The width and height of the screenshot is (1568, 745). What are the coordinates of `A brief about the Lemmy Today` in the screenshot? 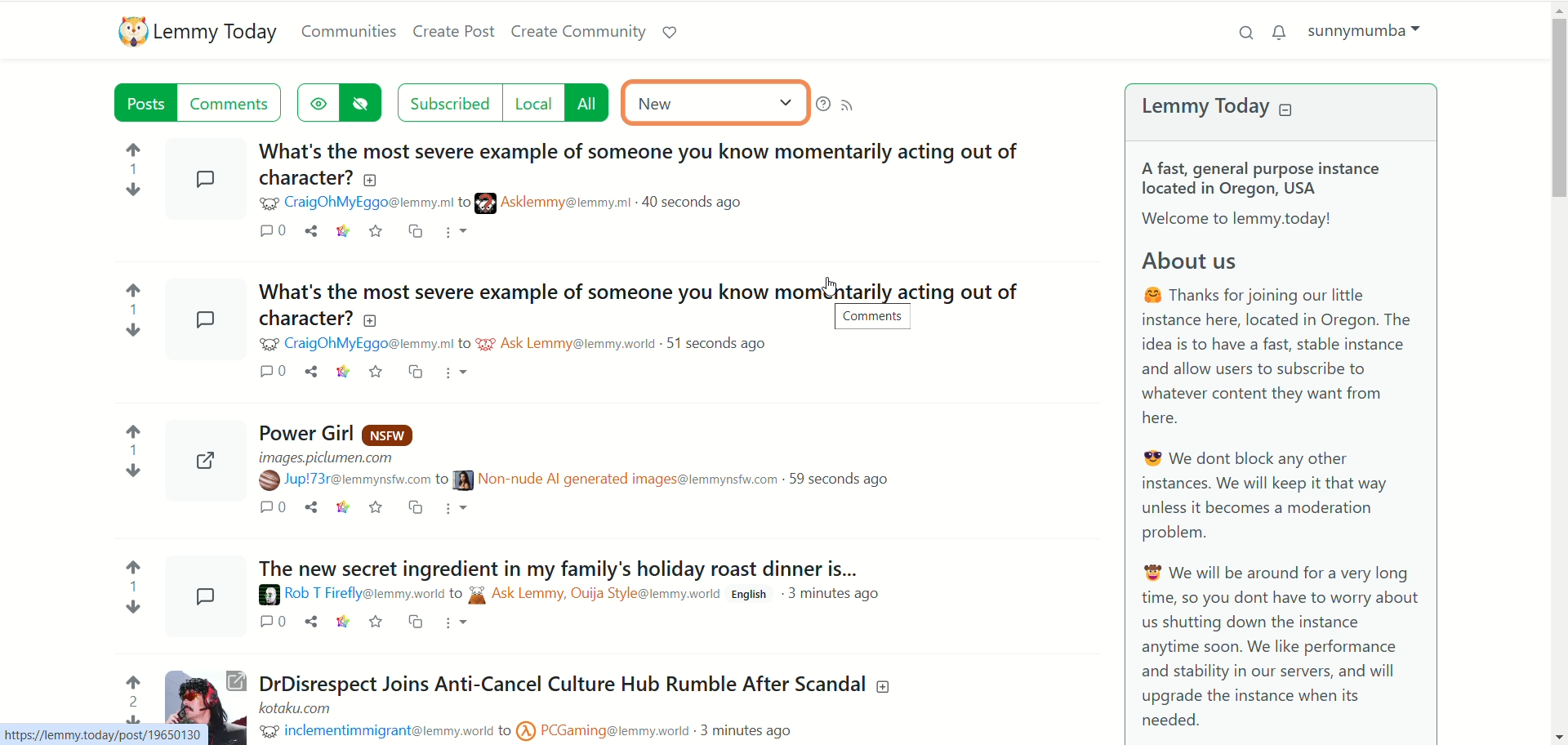 It's located at (1281, 442).